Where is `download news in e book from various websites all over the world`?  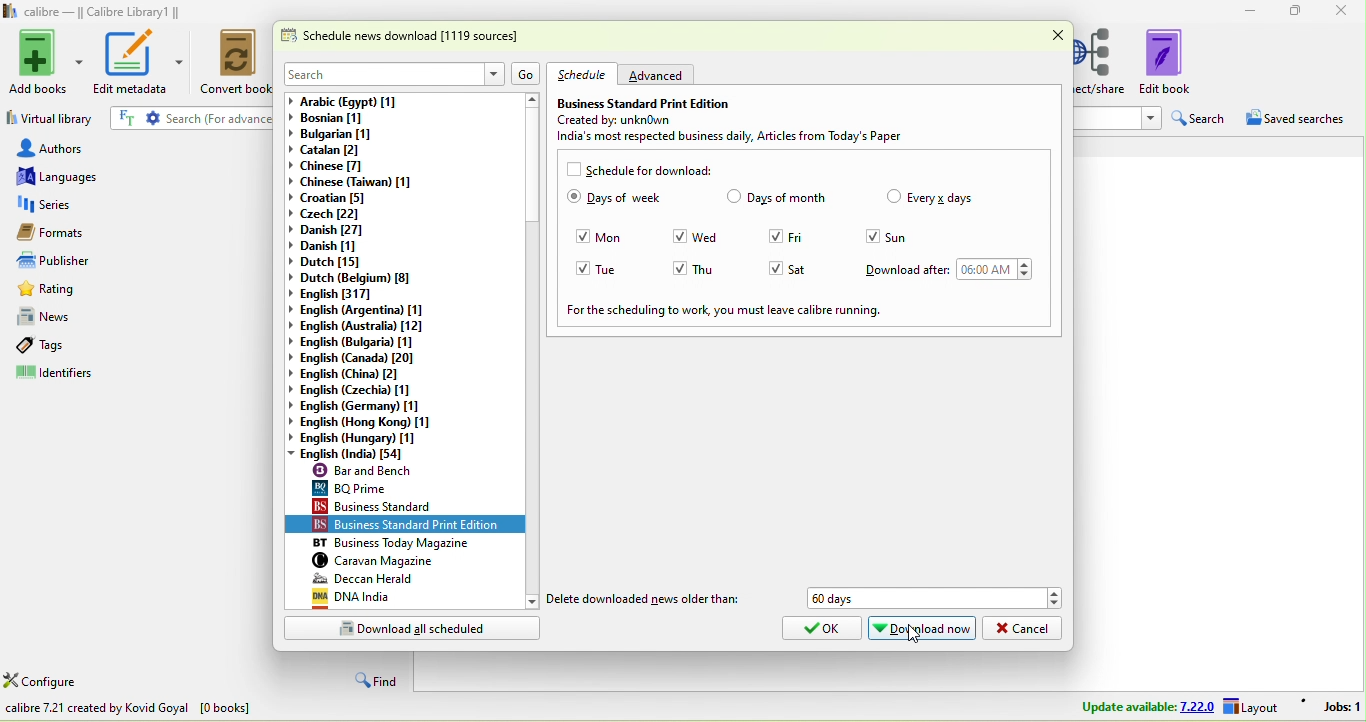
download news in e book from various websites all over the world is located at coordinates (201, 709).